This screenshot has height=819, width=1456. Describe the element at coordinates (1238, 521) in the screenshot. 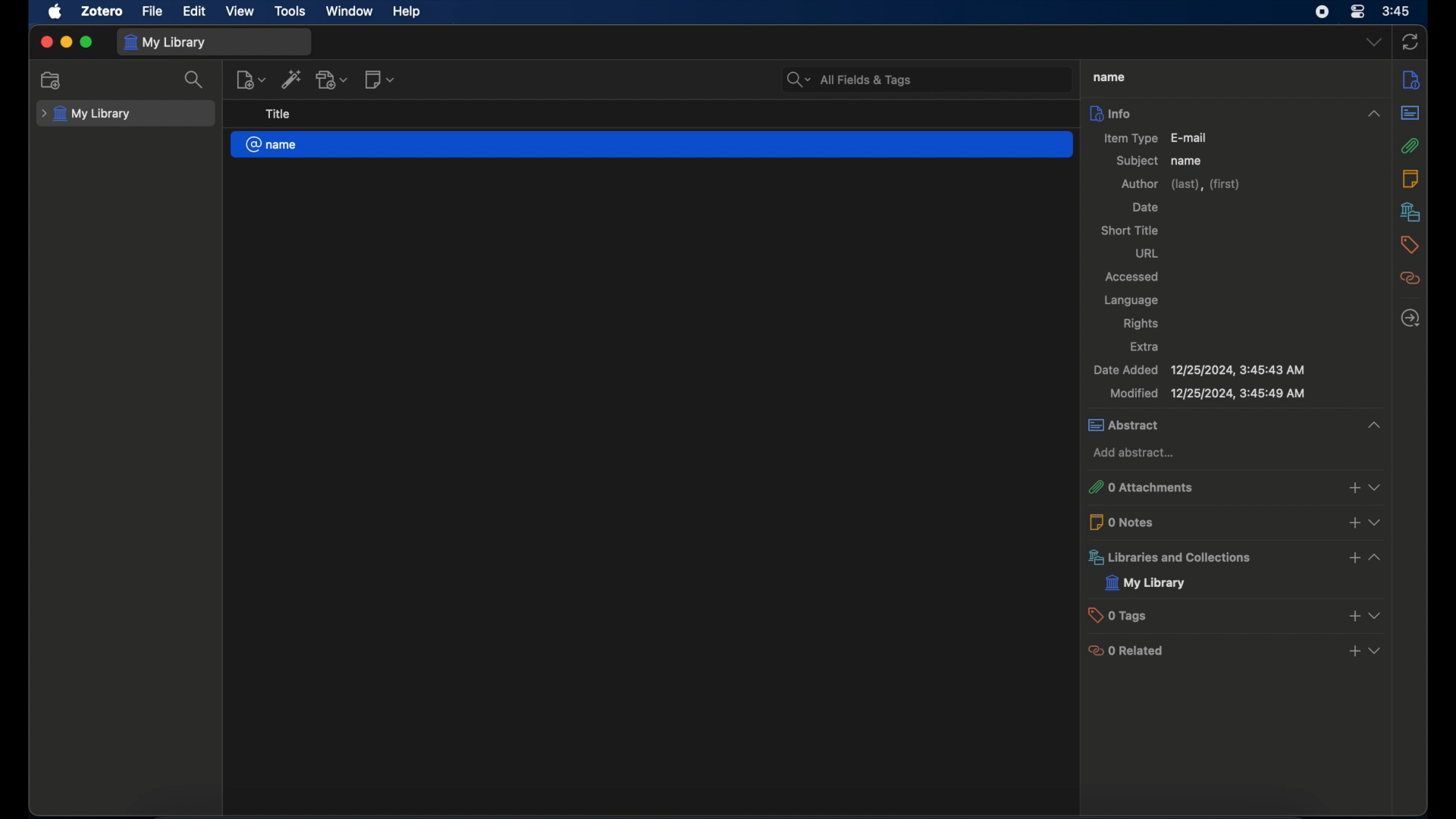

I see `0 notes` at that location.